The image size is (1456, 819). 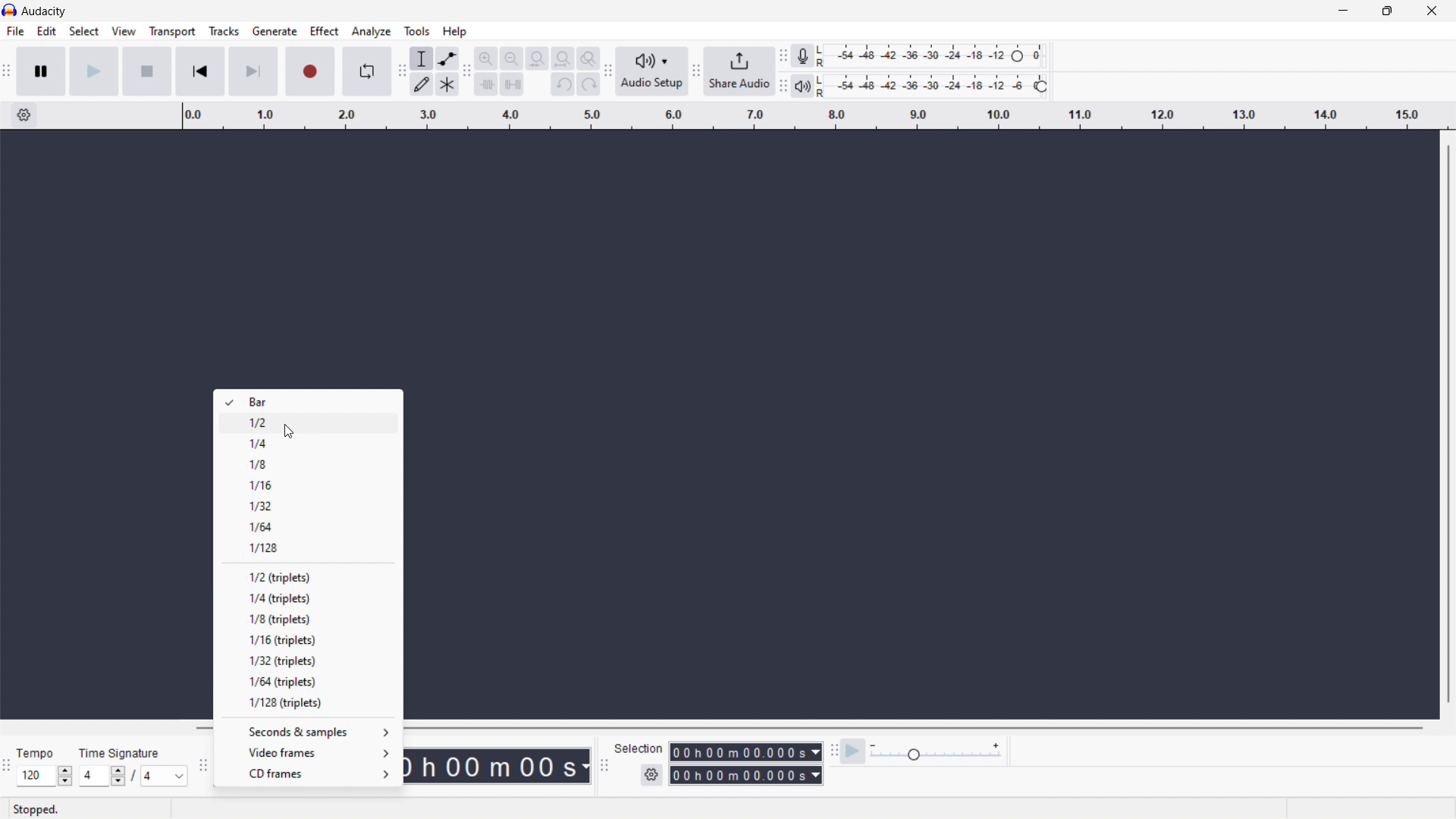 What do you see at coordinates (421, 85) in the screenshot?
I see `draw tool` at bounding box center [421, 85].